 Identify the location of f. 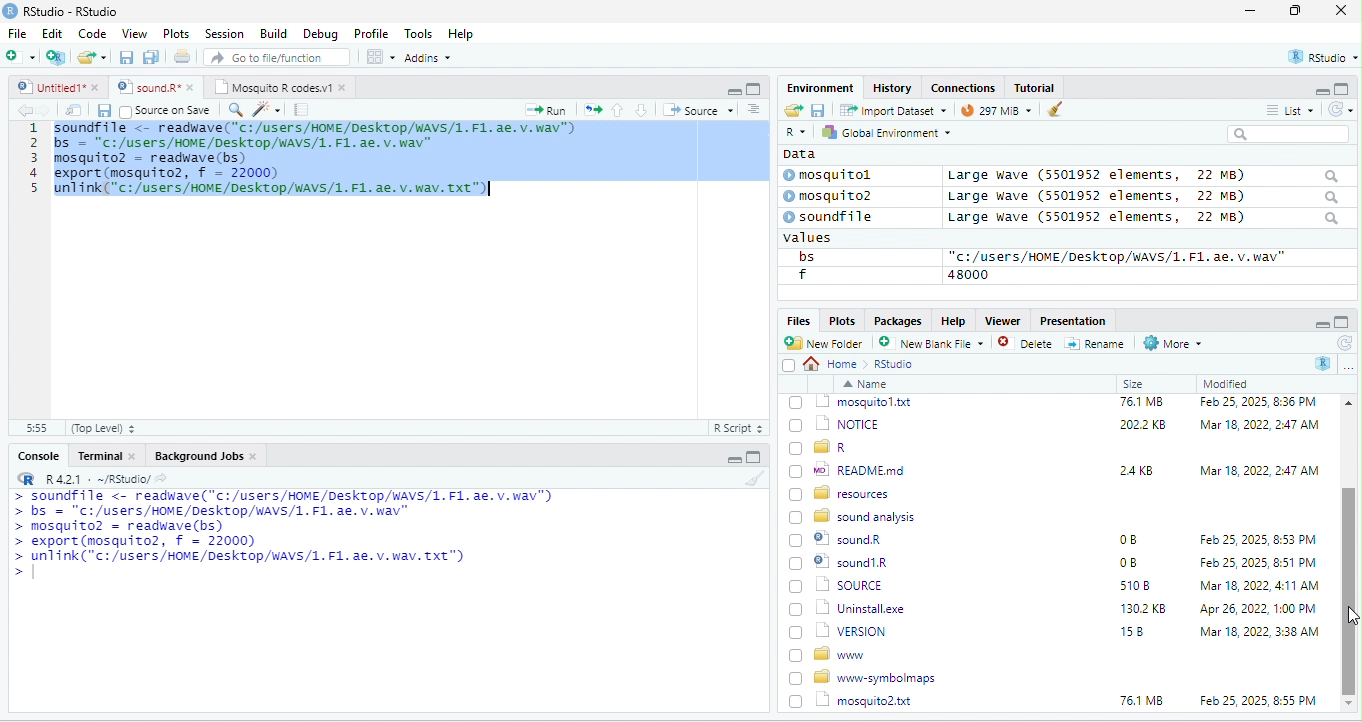
(802, 275).